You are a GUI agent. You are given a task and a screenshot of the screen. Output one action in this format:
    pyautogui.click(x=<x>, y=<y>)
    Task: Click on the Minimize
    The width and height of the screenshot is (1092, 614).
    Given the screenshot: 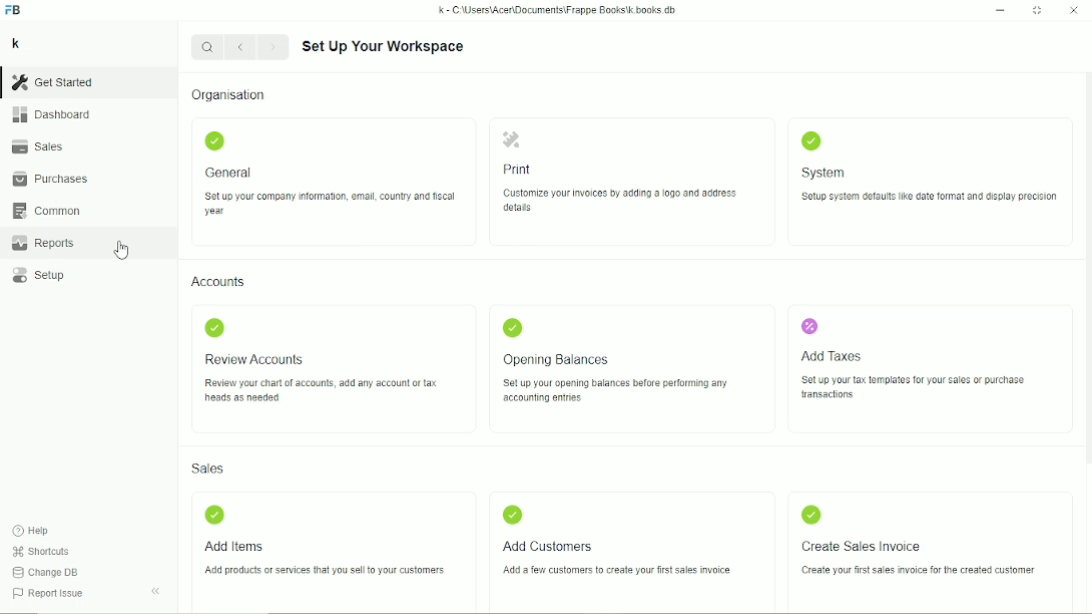 What is the action you would take?
    pyautogui.click(x=1001, y=11)
    